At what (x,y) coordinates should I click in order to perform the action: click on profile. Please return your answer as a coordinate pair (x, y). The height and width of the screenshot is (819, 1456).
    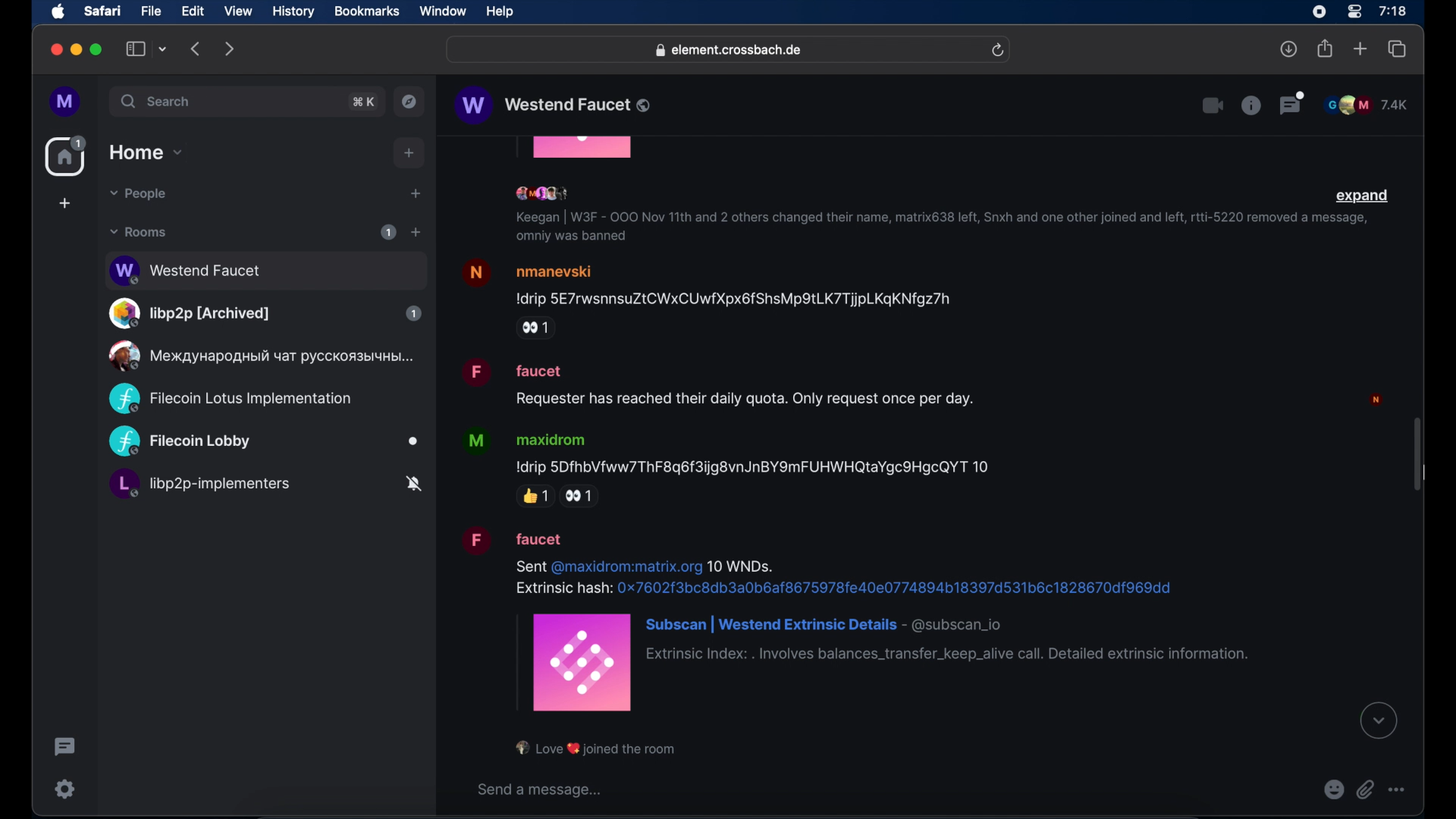
    Looking at the image, I should click on (66, 102).